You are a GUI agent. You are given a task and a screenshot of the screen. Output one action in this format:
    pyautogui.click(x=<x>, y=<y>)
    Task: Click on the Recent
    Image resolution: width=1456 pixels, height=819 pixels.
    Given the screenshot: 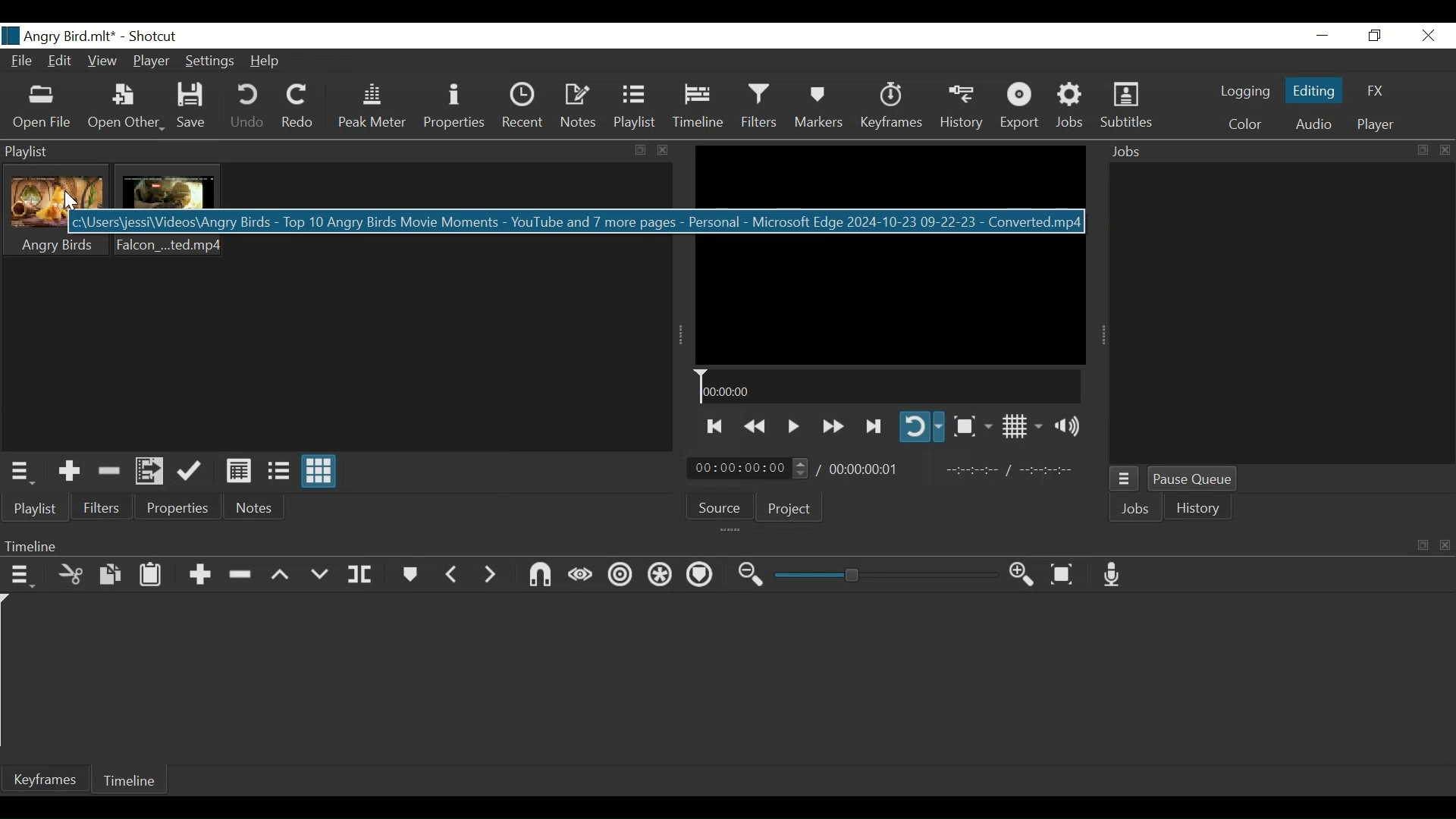 What is the action you would take?
    pyautogui.click(x=526, y=108)
    